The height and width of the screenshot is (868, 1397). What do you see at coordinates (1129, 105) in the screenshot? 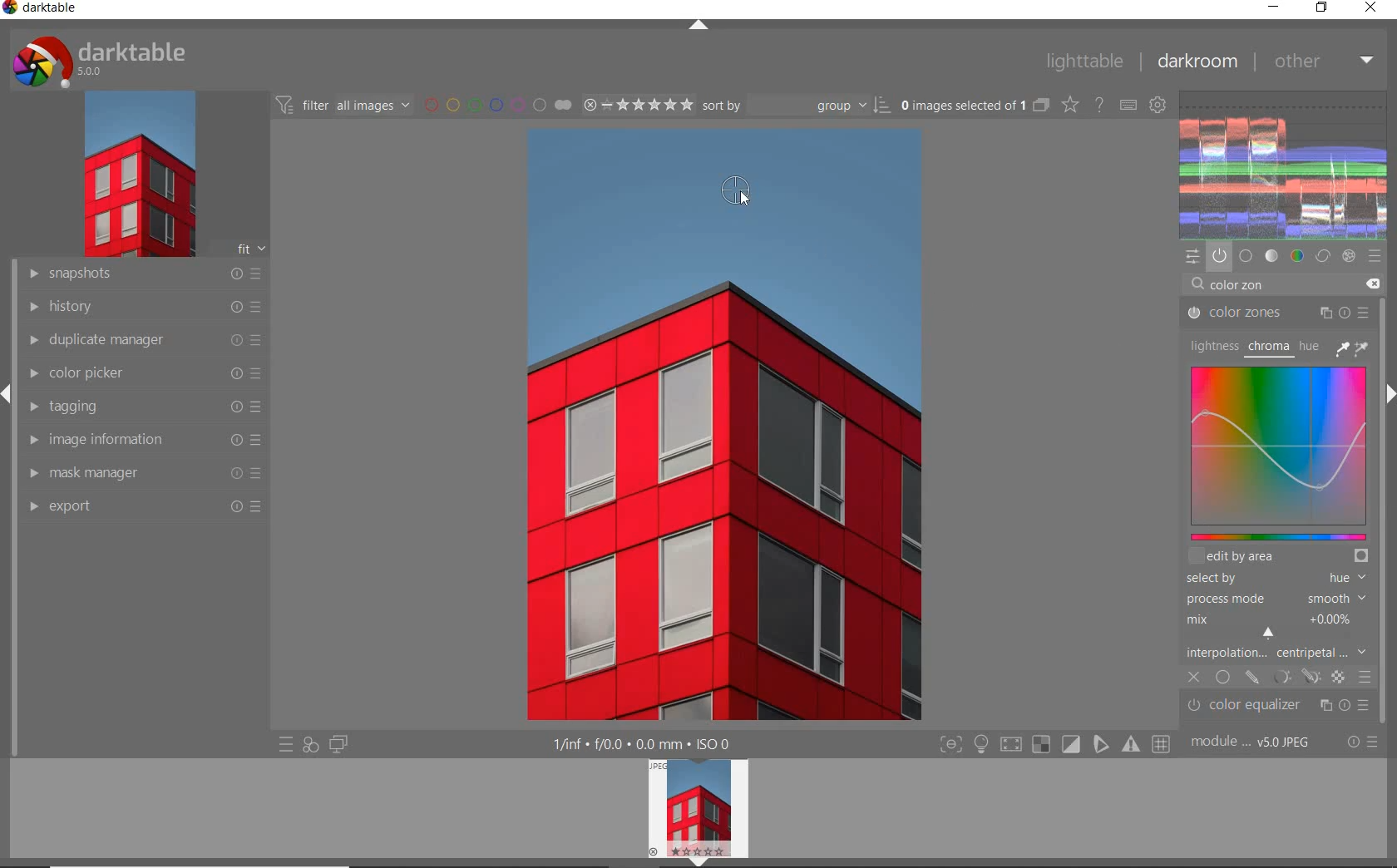
I see `define keyboard shortcuts` at bounding box center [1129, 105].